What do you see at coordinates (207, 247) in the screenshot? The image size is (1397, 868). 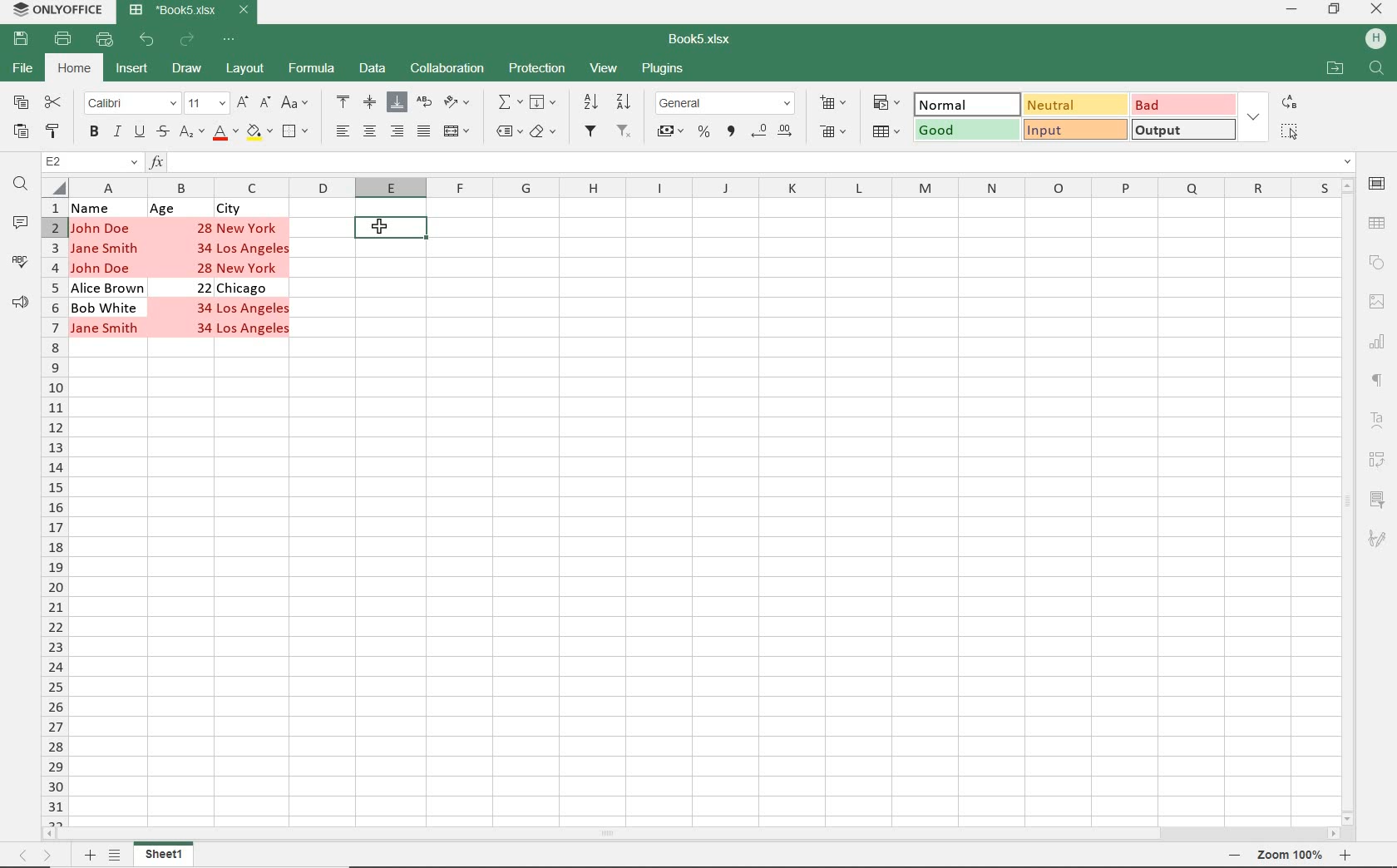 I see `34` at bounding box center [207, 247].